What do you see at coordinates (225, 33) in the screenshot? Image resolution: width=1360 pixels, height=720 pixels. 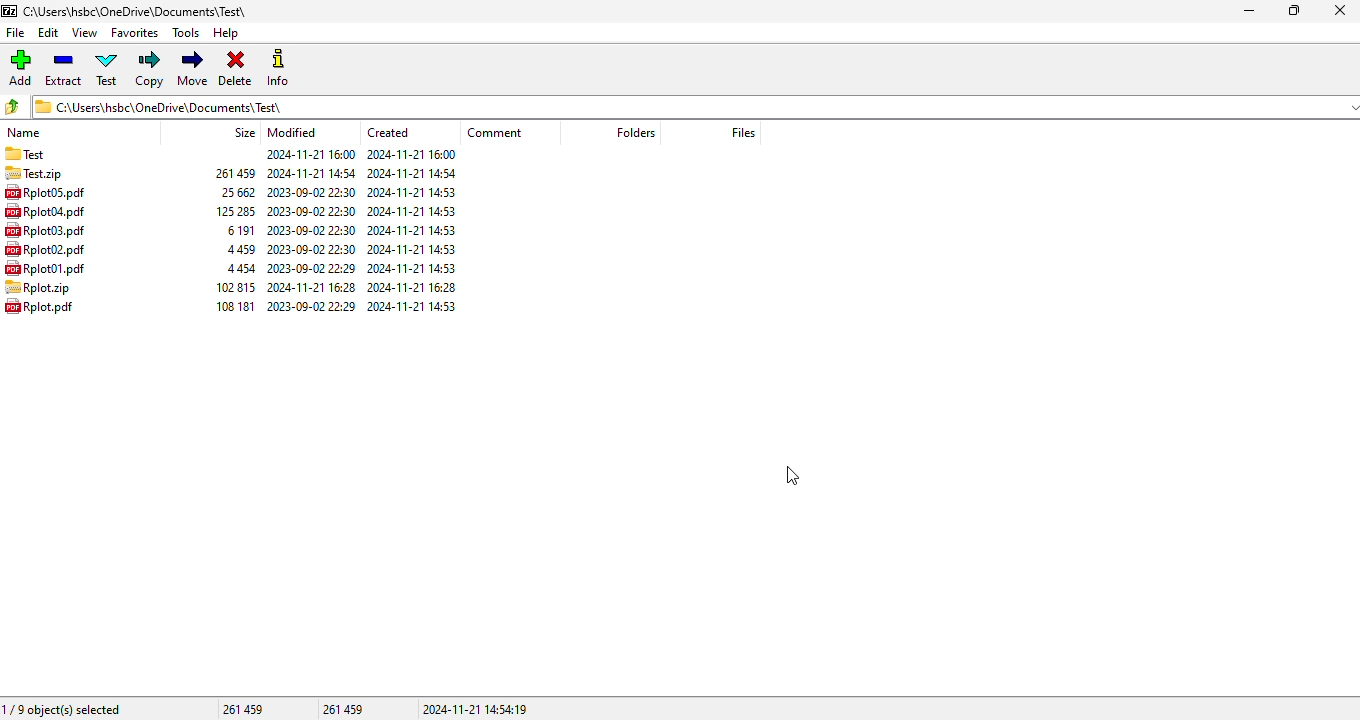 I see `help` at bounding box center [225, 33].